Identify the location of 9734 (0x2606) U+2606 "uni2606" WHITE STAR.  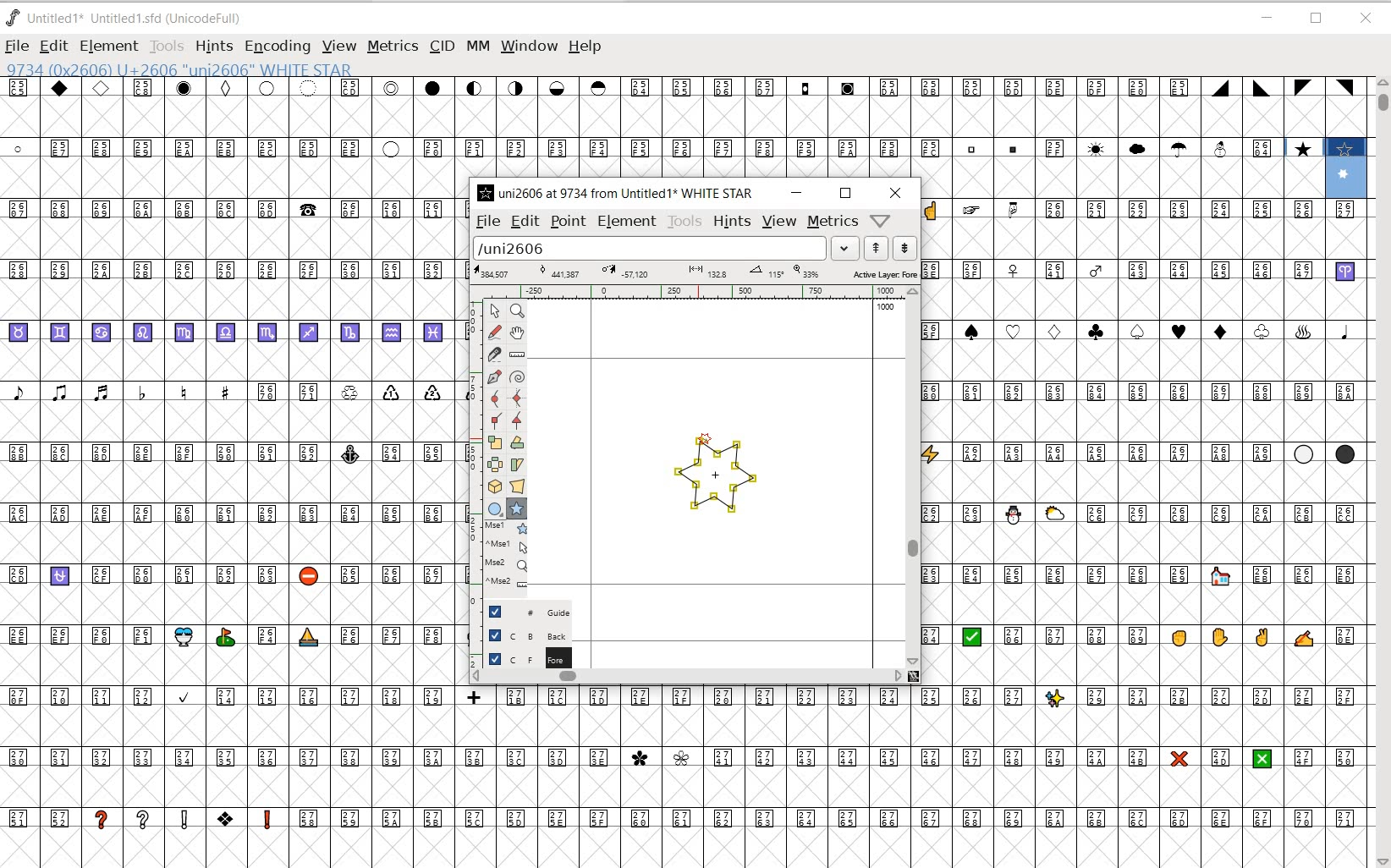
(180, 70).